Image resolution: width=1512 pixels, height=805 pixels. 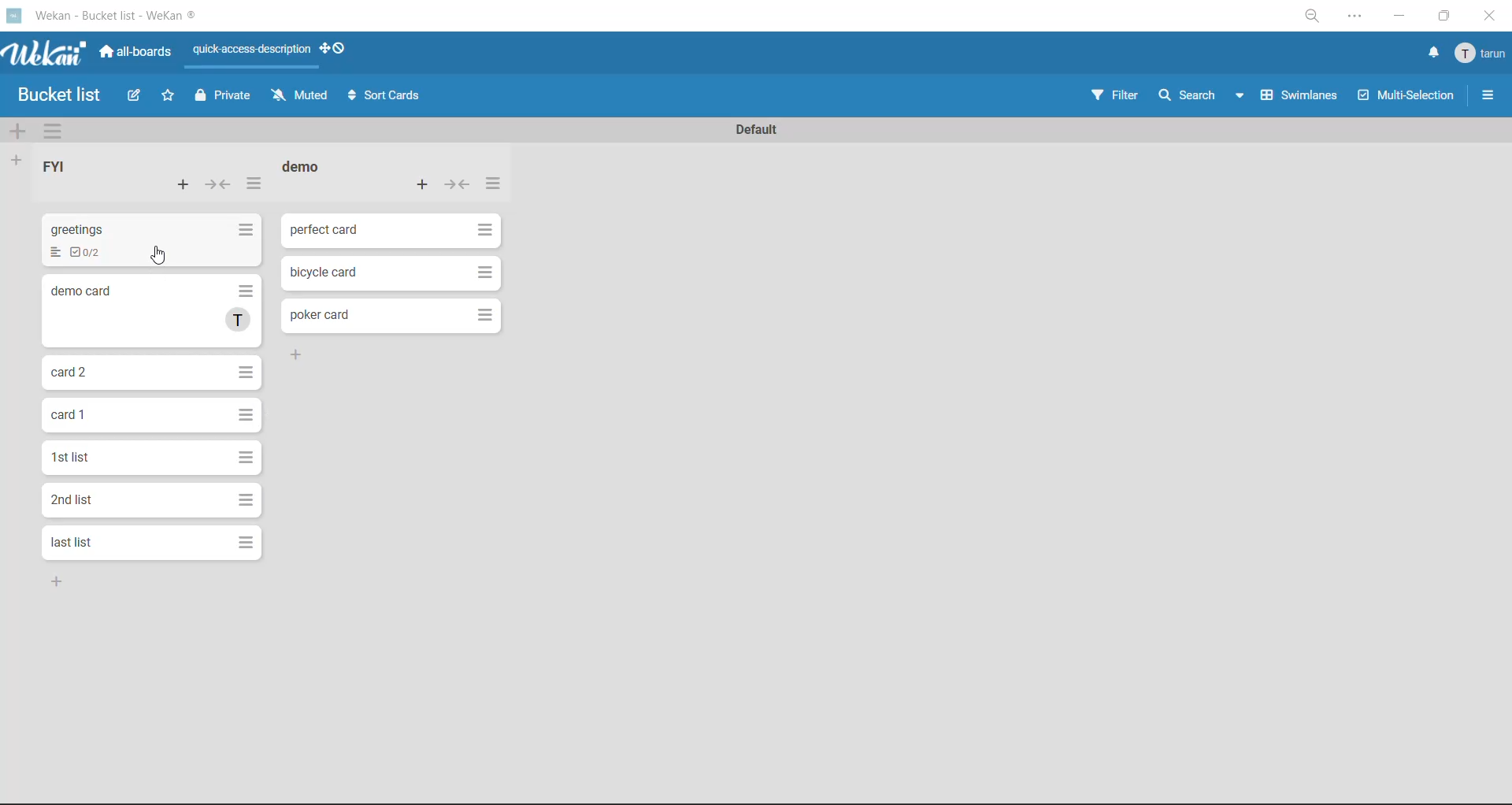 What do you see at coordinates (220, 184) in the screenshot?
I see `collapse` at bounding box center [220, 184].